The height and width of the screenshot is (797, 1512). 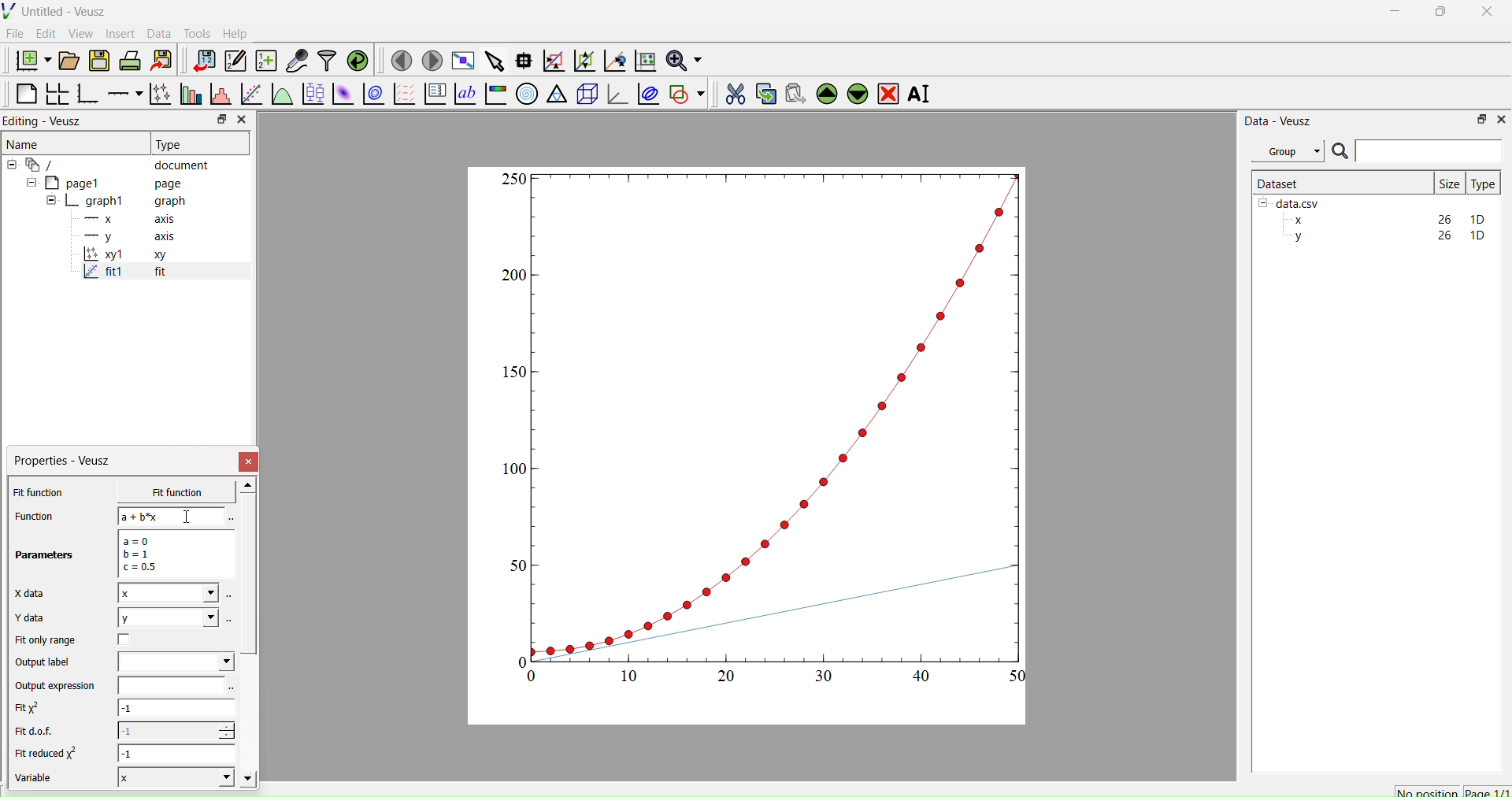 What do you see at coordinates (762, 92) in the screenshot?
I see `Copy` at bounding box center [762, 92].